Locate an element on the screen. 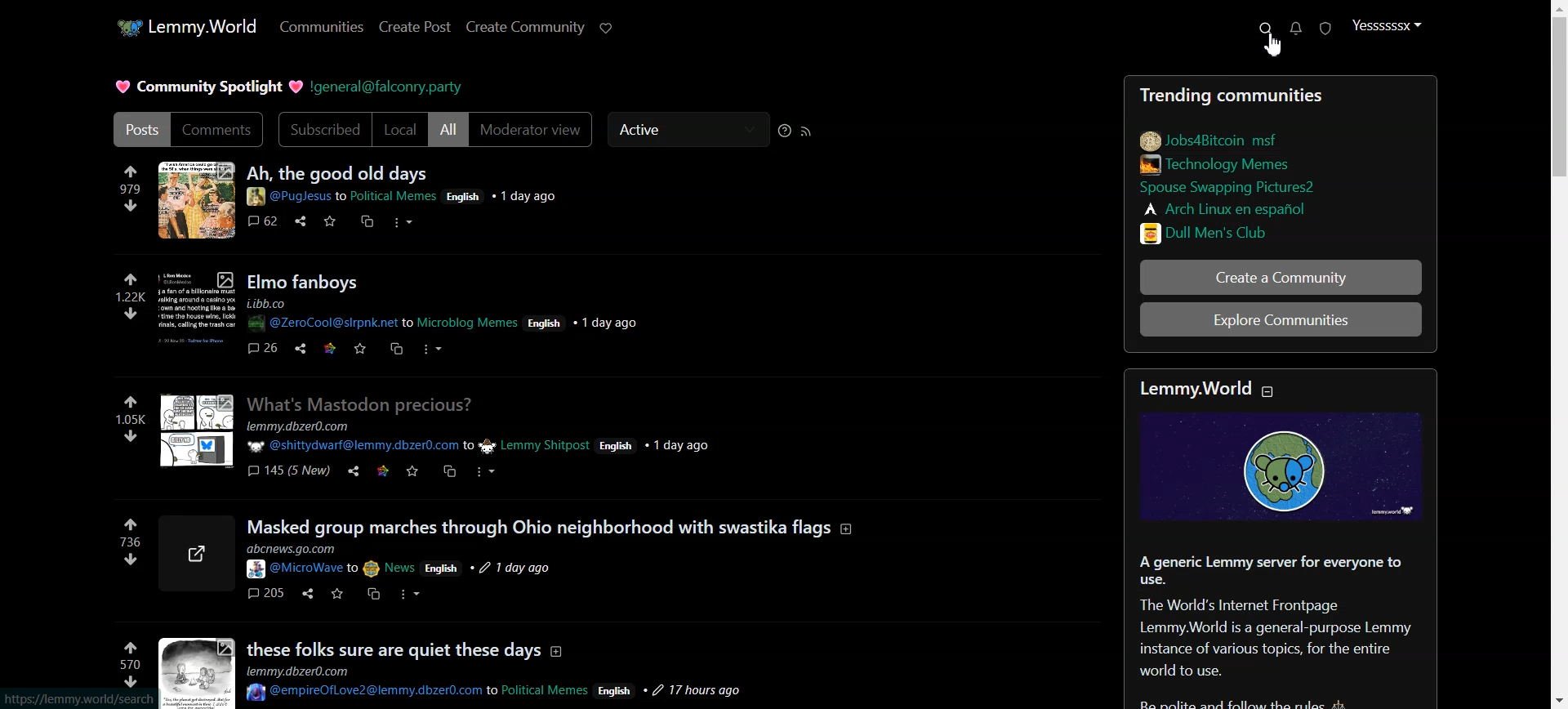 This screenshot has height=709, width=1568. Active is located at coordinates (687, 129).